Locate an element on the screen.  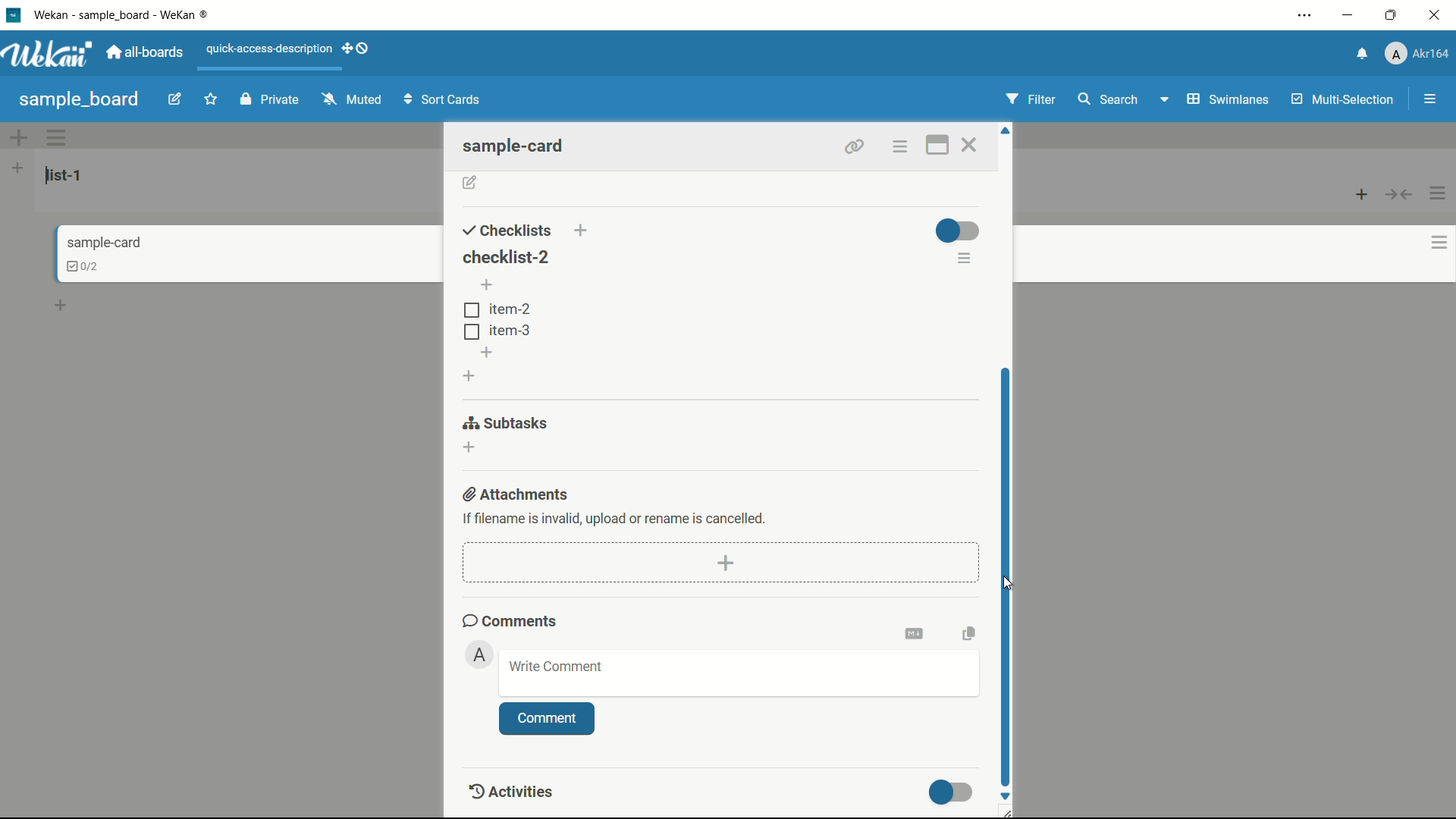
checklist is located at coordinates (74, 265).